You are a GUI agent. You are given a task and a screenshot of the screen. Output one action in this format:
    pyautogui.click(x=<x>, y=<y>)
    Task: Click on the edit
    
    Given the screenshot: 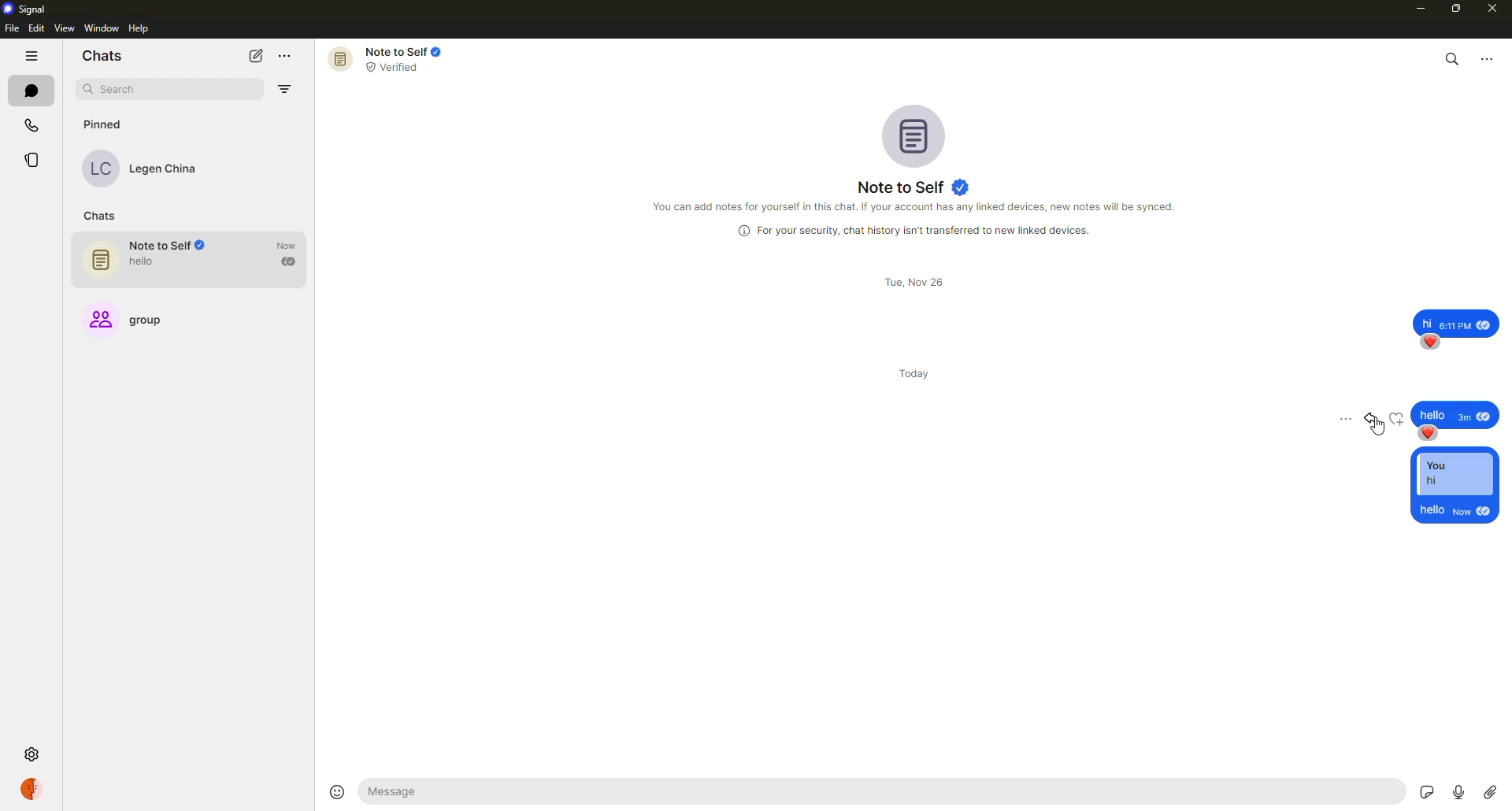 What is the action you would take?
    pyautogui.click(x=35, y=28)
    